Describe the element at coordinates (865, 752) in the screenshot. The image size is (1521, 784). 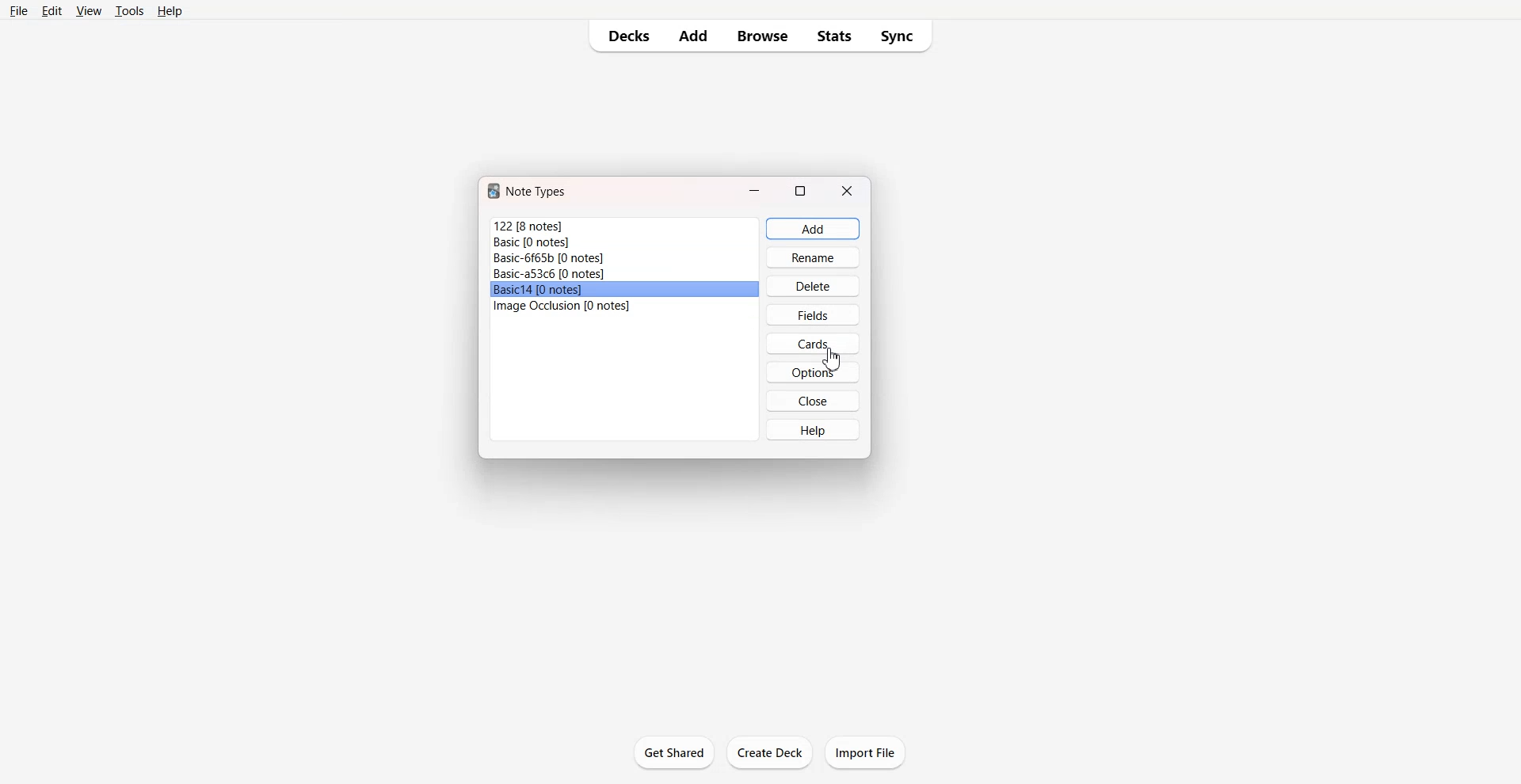
I see `Import File` at that location.